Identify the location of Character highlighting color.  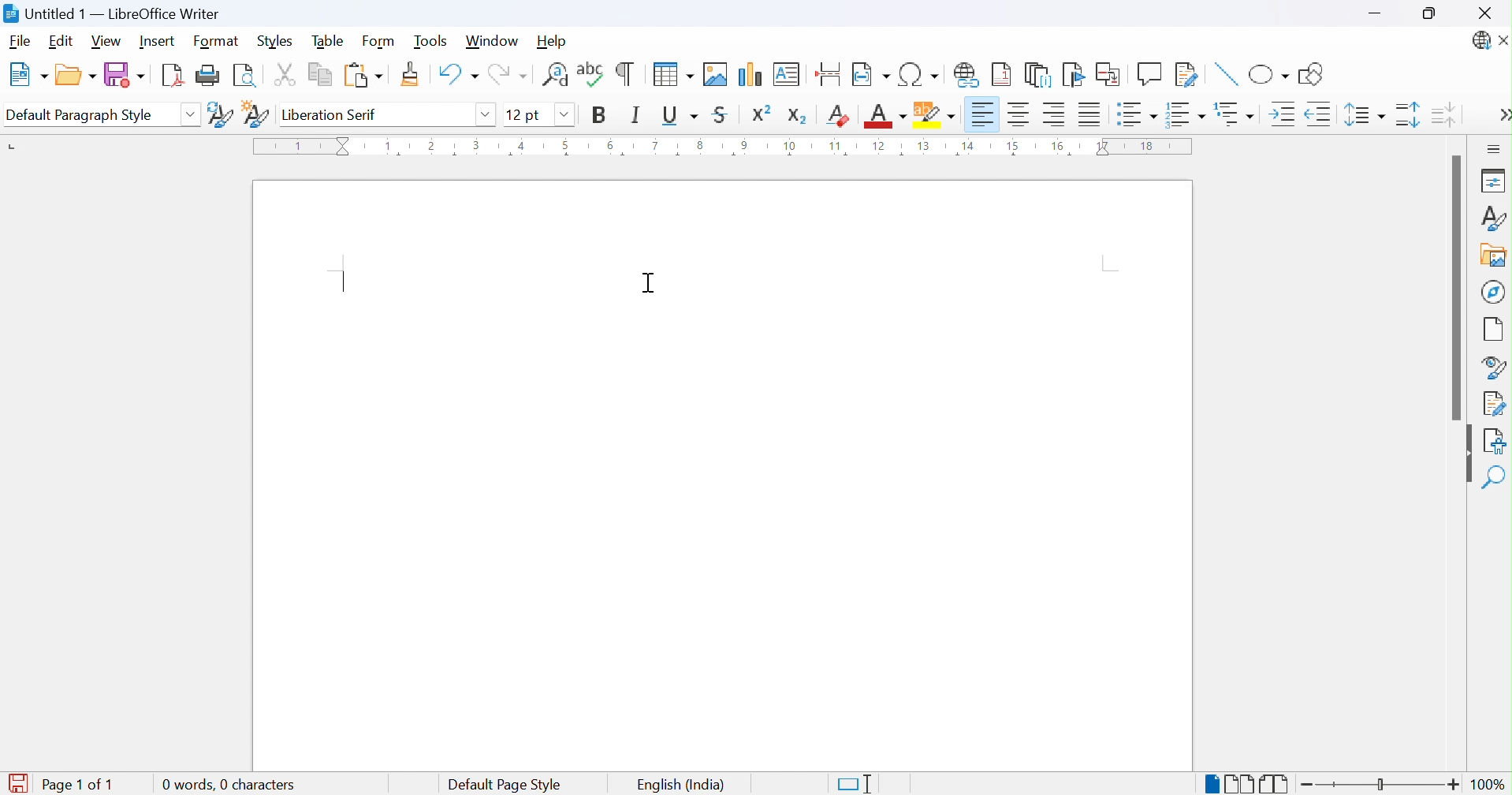
(936, 116).